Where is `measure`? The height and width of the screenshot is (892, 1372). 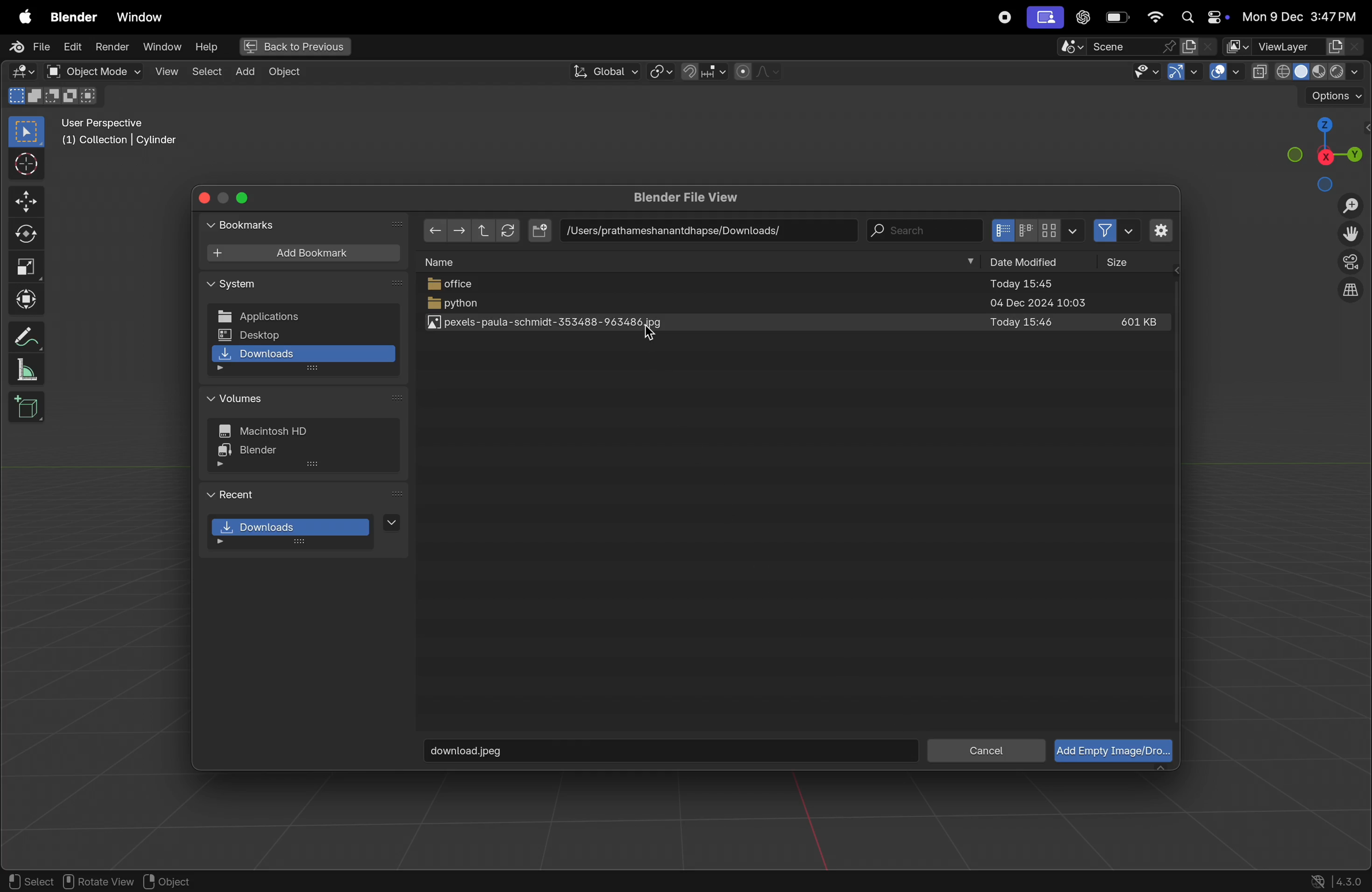
measure is located at coordinates (28, 371).